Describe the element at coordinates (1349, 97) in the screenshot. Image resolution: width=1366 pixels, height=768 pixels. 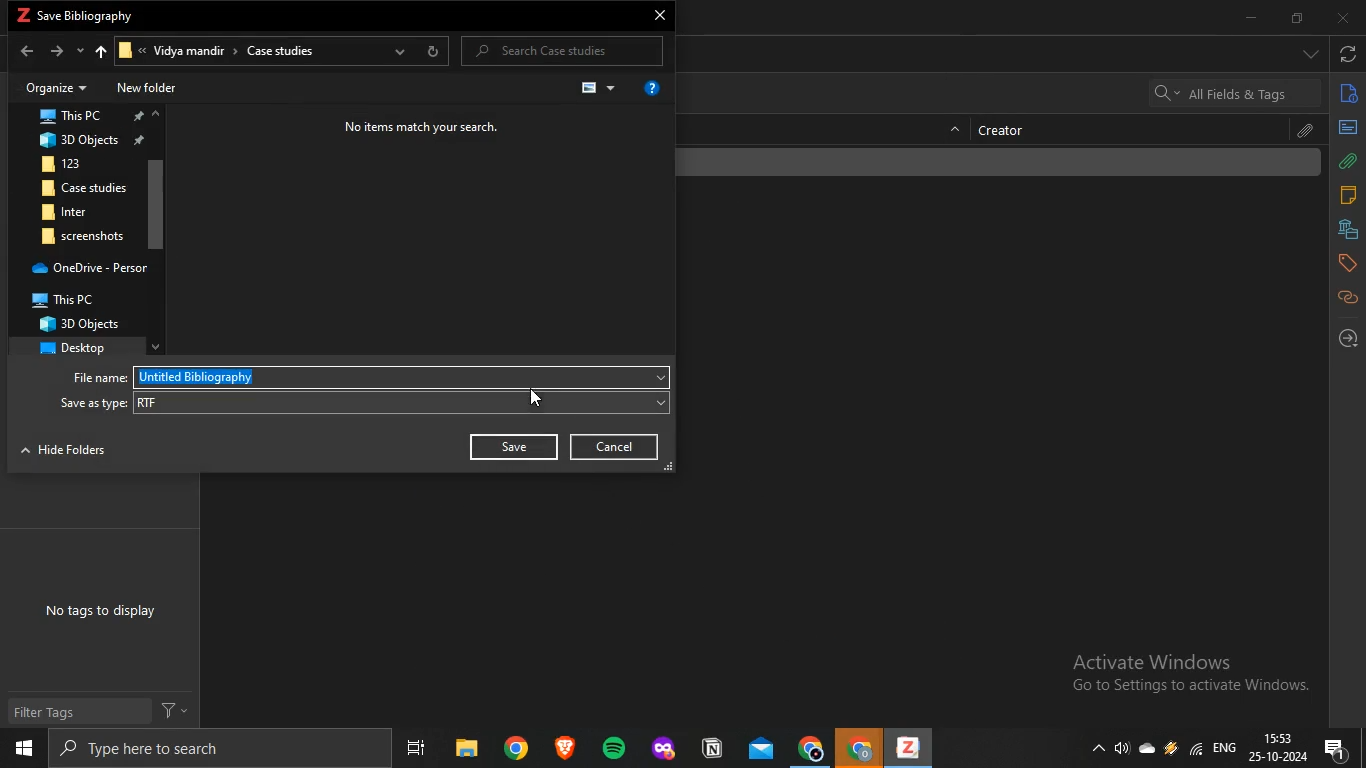
I see `info` at that location.